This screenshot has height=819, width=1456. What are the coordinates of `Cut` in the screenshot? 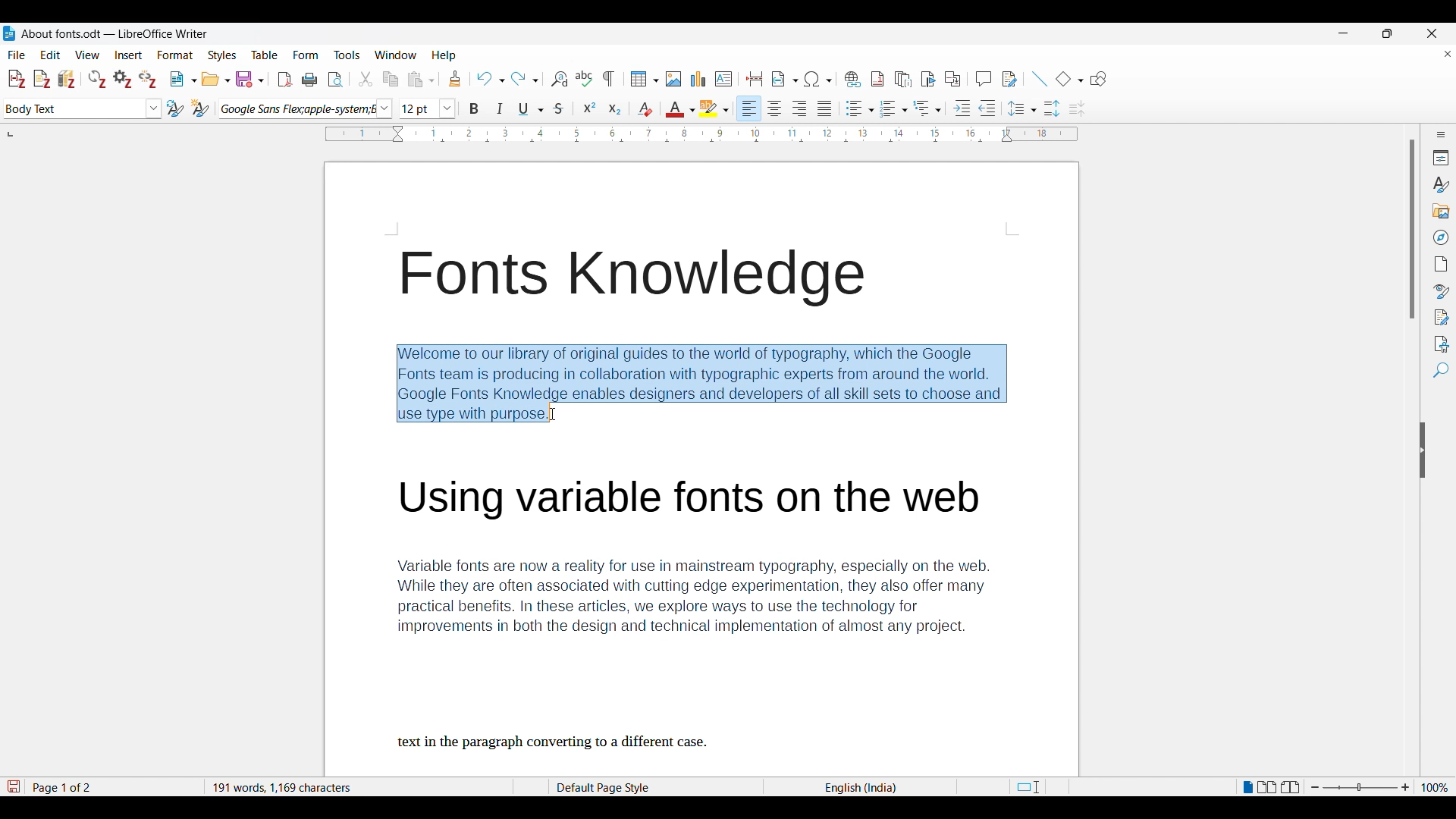 It's located at (366, 79).